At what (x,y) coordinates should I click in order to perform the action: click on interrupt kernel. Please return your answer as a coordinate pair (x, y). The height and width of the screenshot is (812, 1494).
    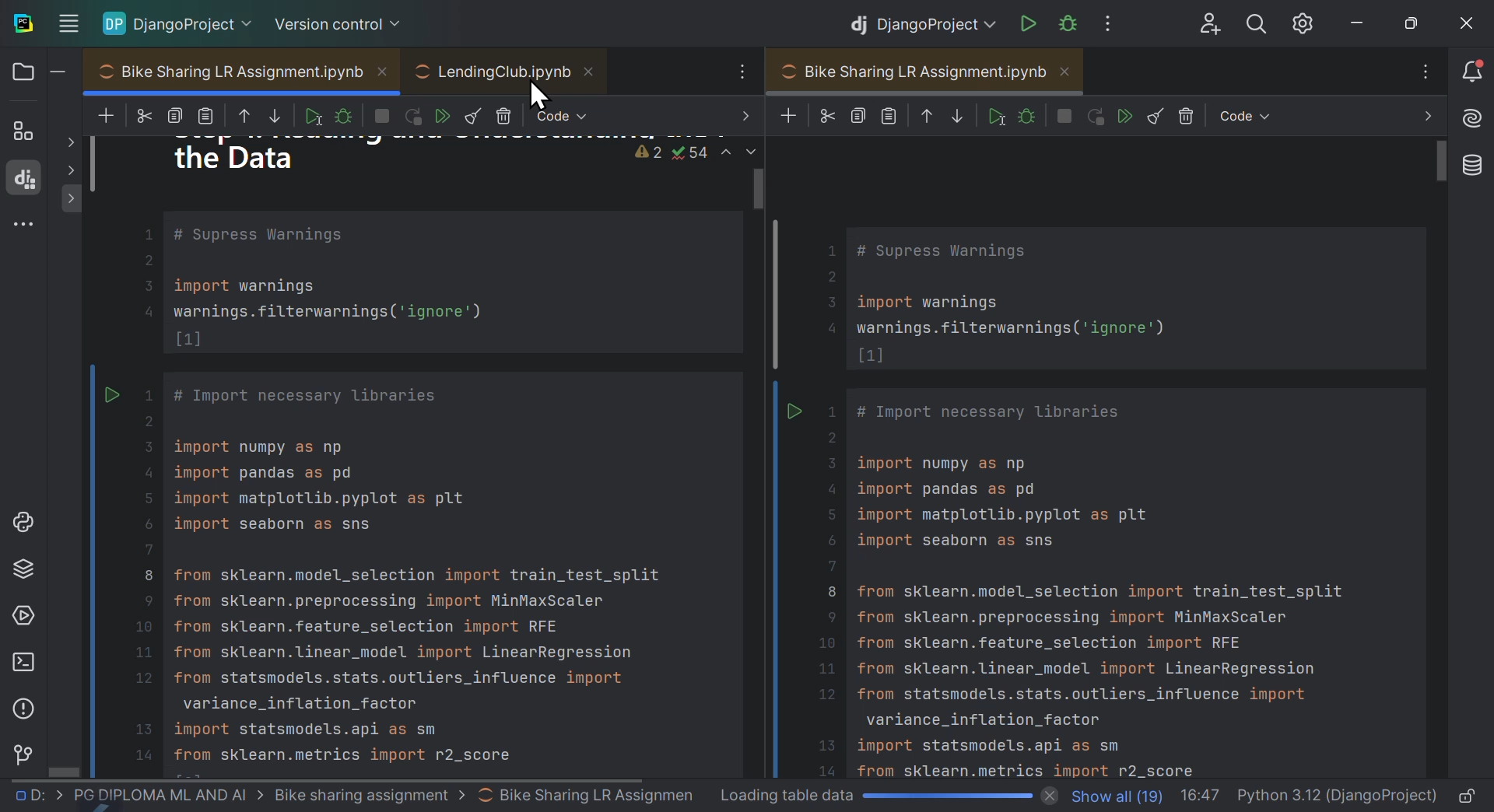
    Looking at the image, I should click on (1066, 115).